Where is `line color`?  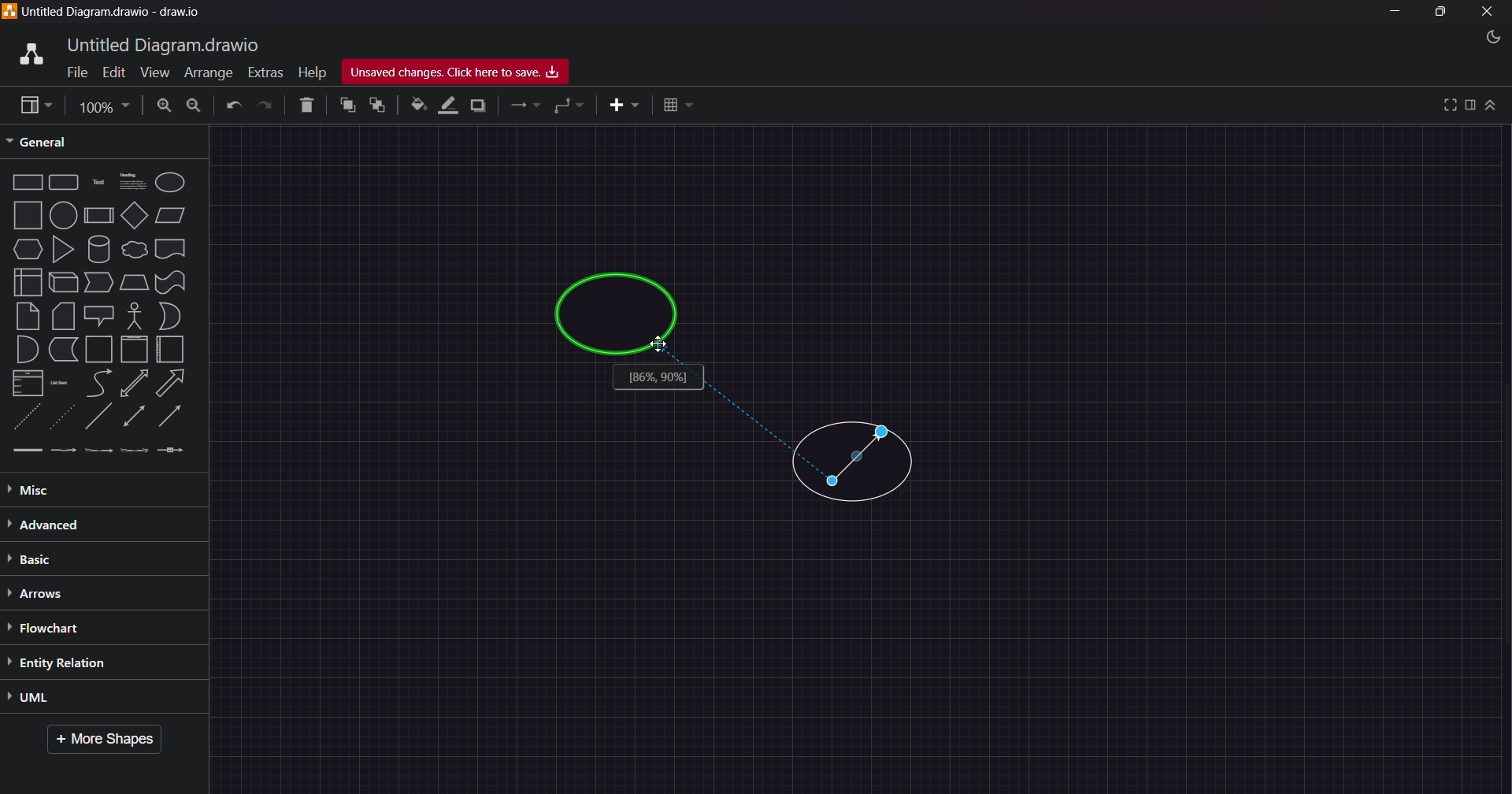 line color is located at coordinates (448, 105).